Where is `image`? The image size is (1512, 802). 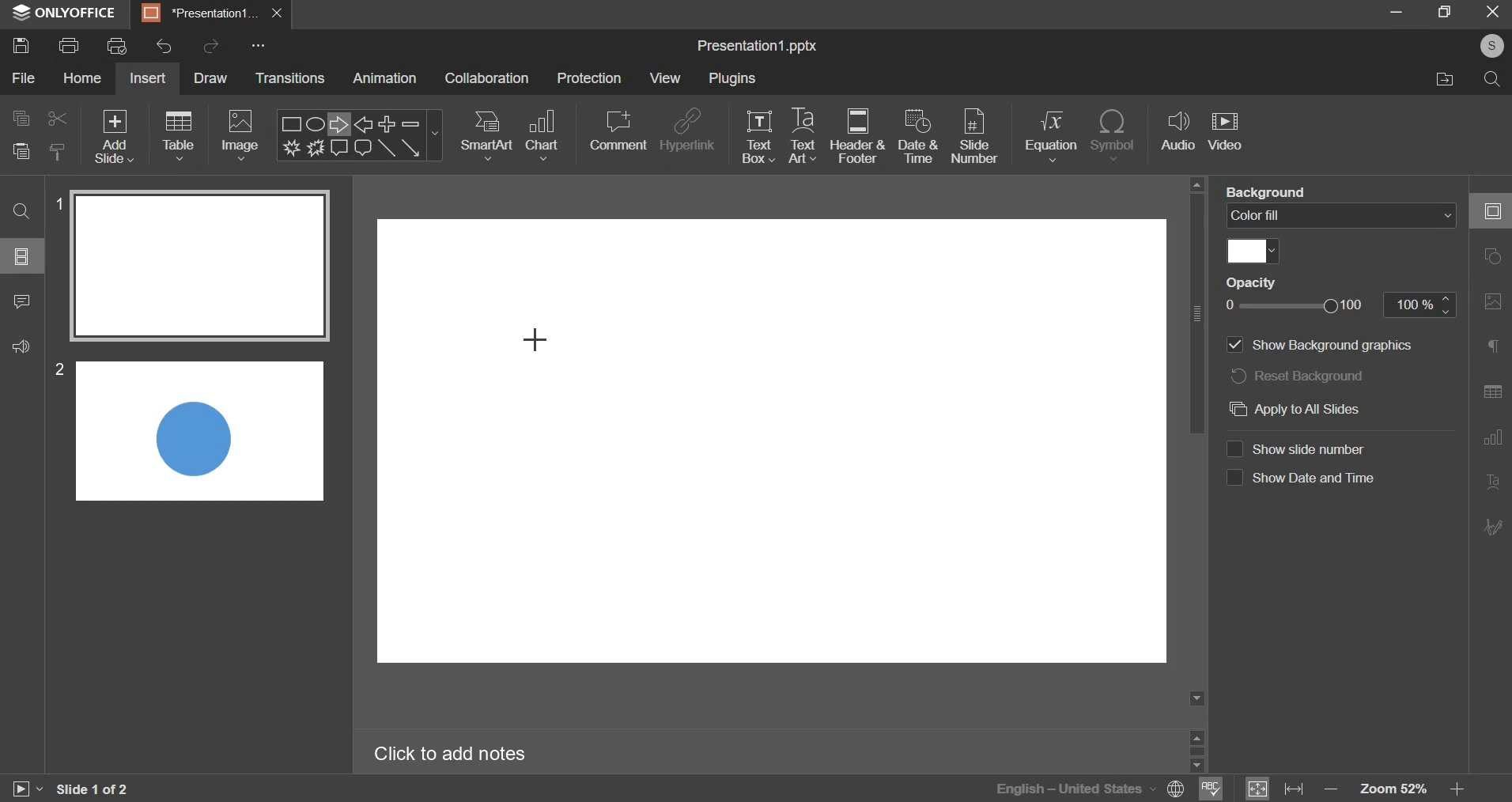 image is located at coordinates (242, 134).